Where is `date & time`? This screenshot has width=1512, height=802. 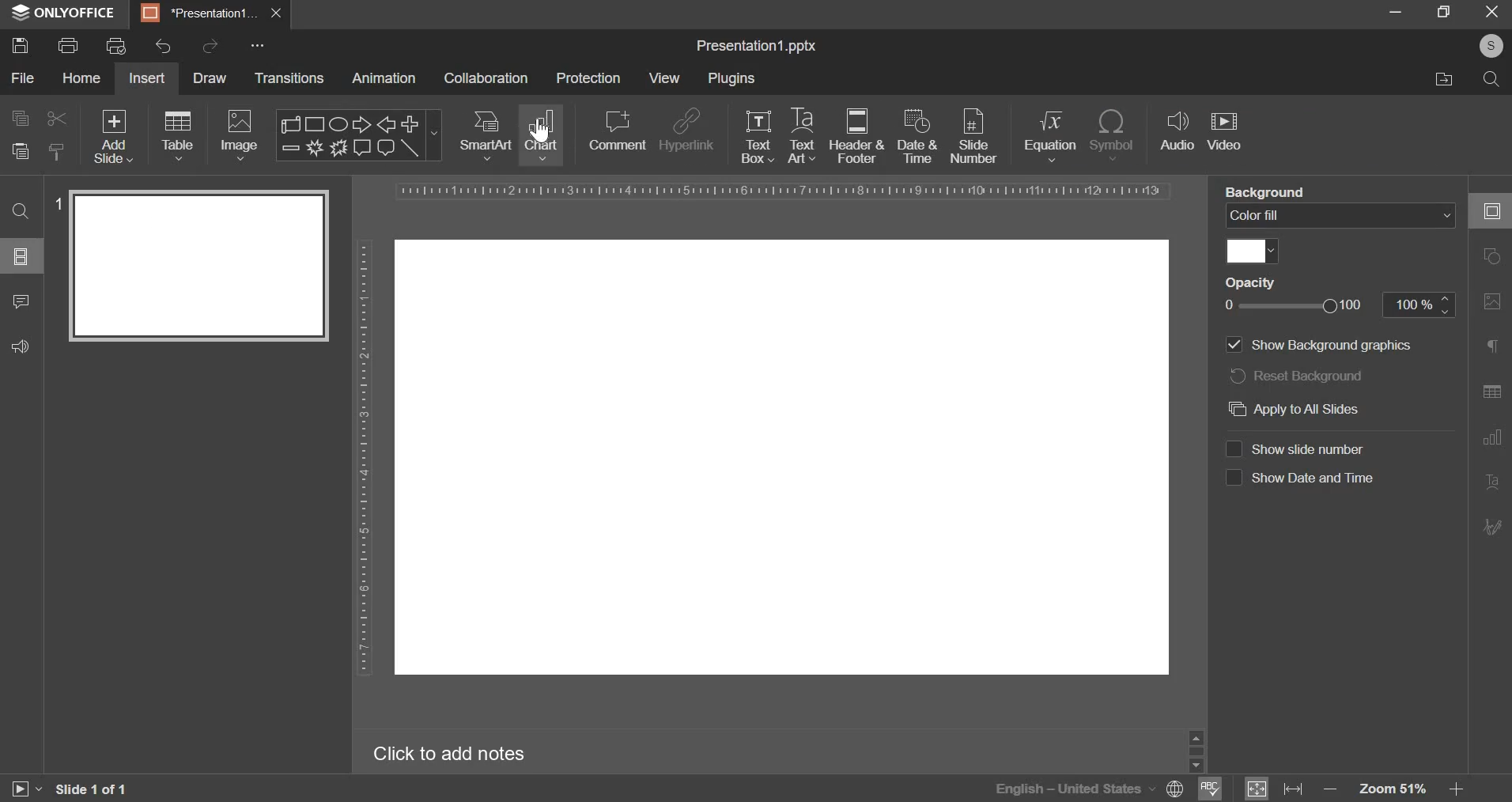
date & time is located at coordinates (916, 136).